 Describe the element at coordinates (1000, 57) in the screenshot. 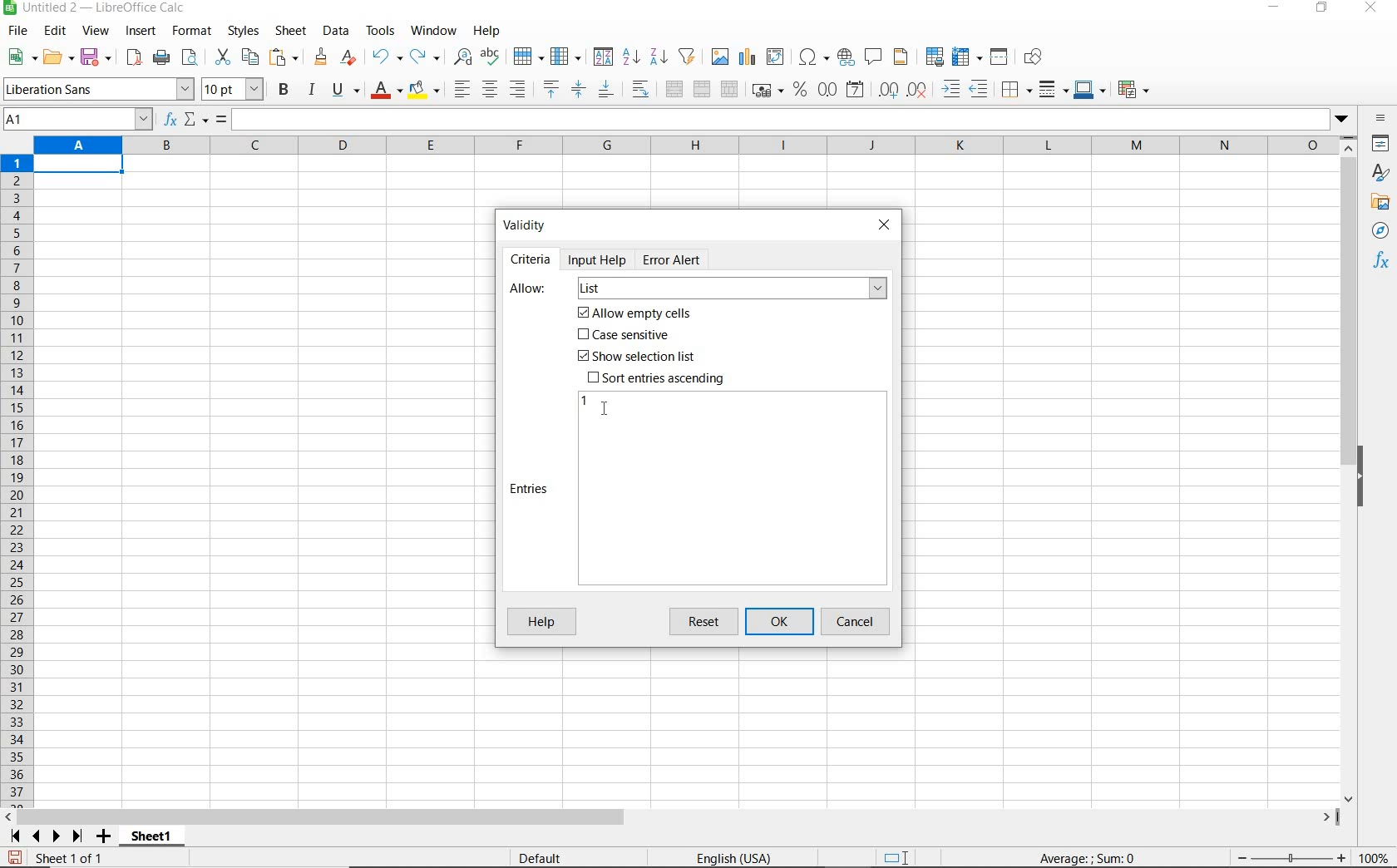

I see `split window` at that location.